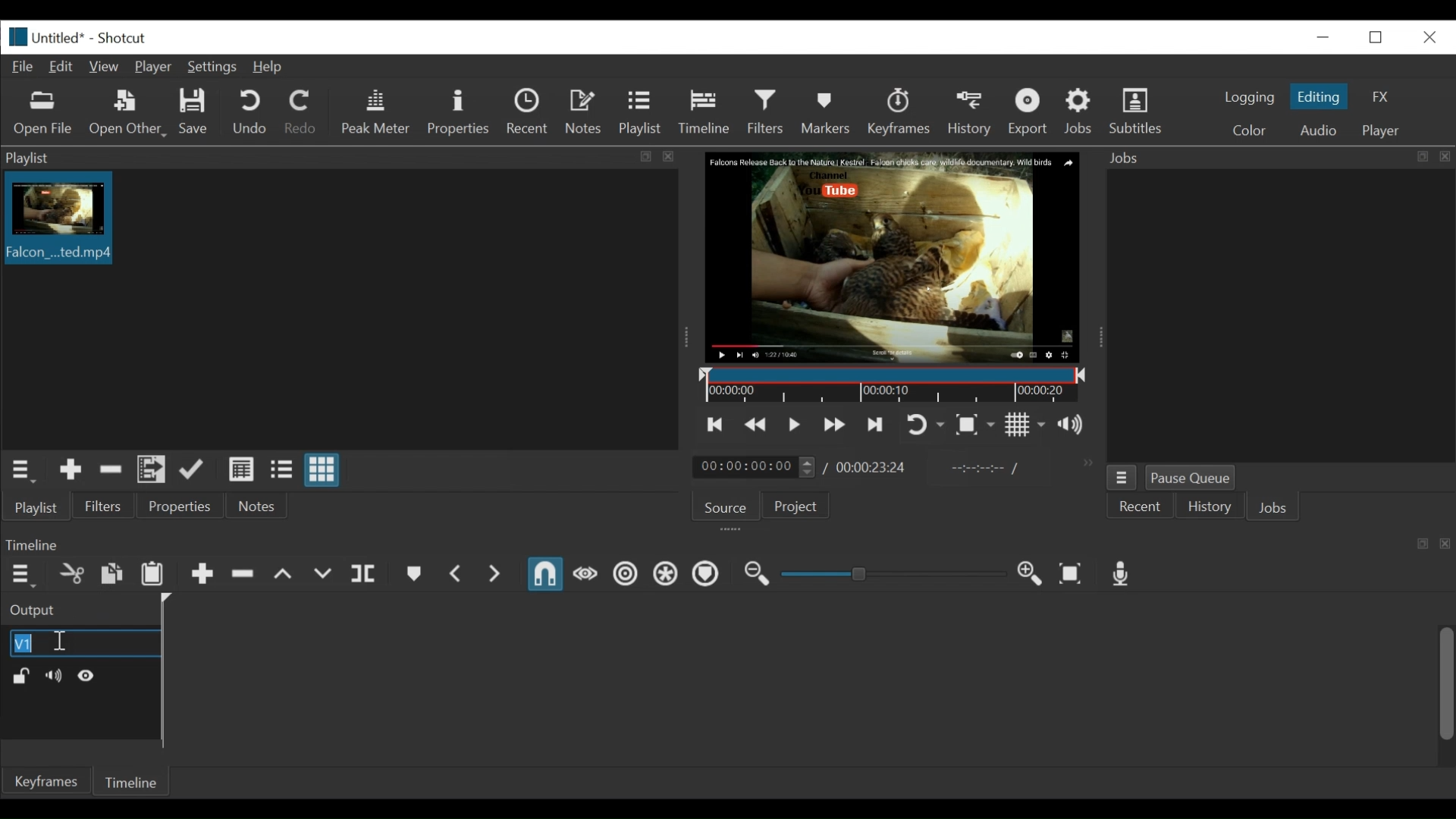 The height and width of the screenshot is (819, 1456). What do you see at coordinates (1140, 507) in the screenshot?
I see `Recent` at bounding box center [1140, 507].